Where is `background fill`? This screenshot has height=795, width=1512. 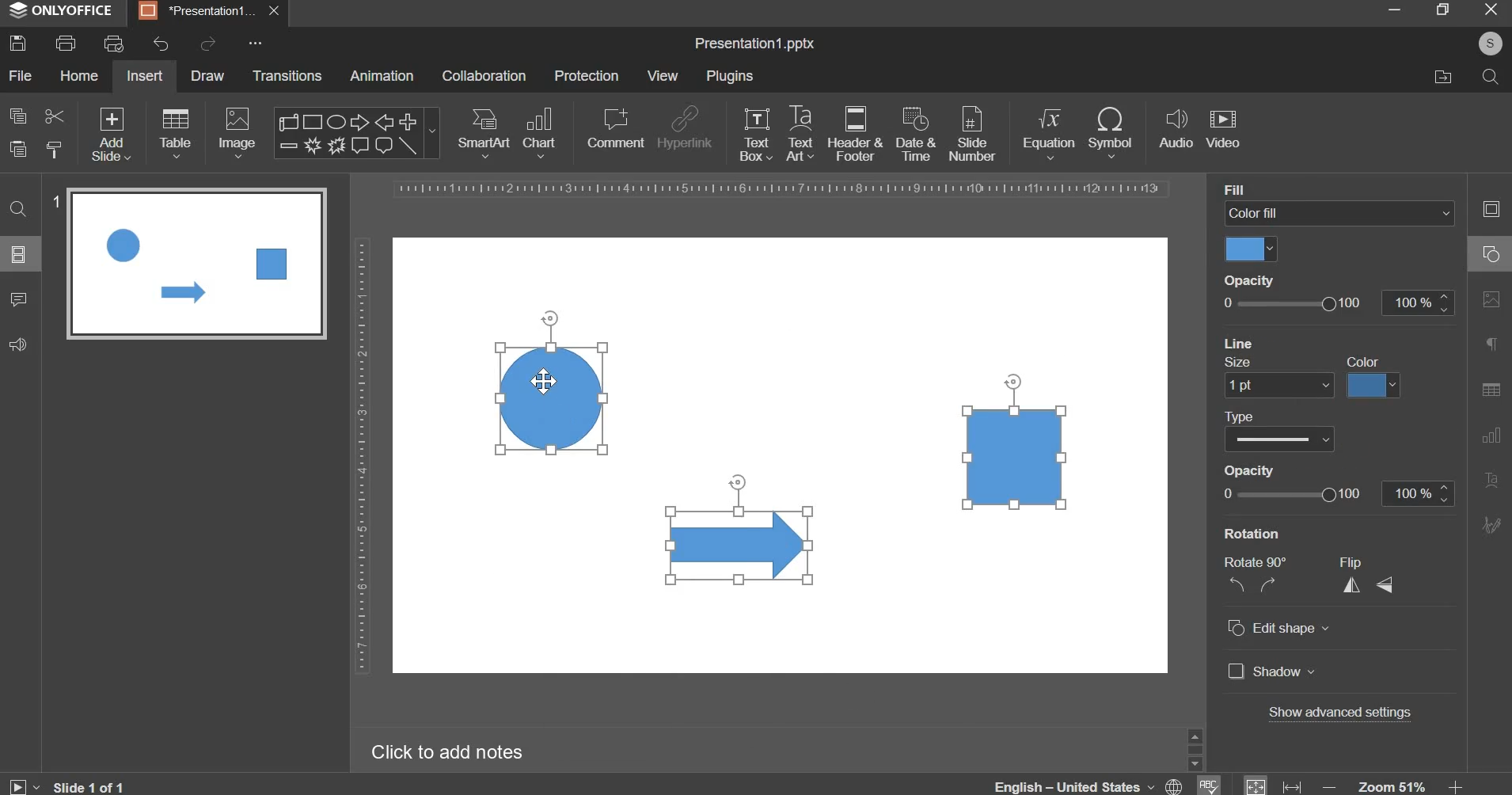
background fill is located at coordinates (1340, 214).